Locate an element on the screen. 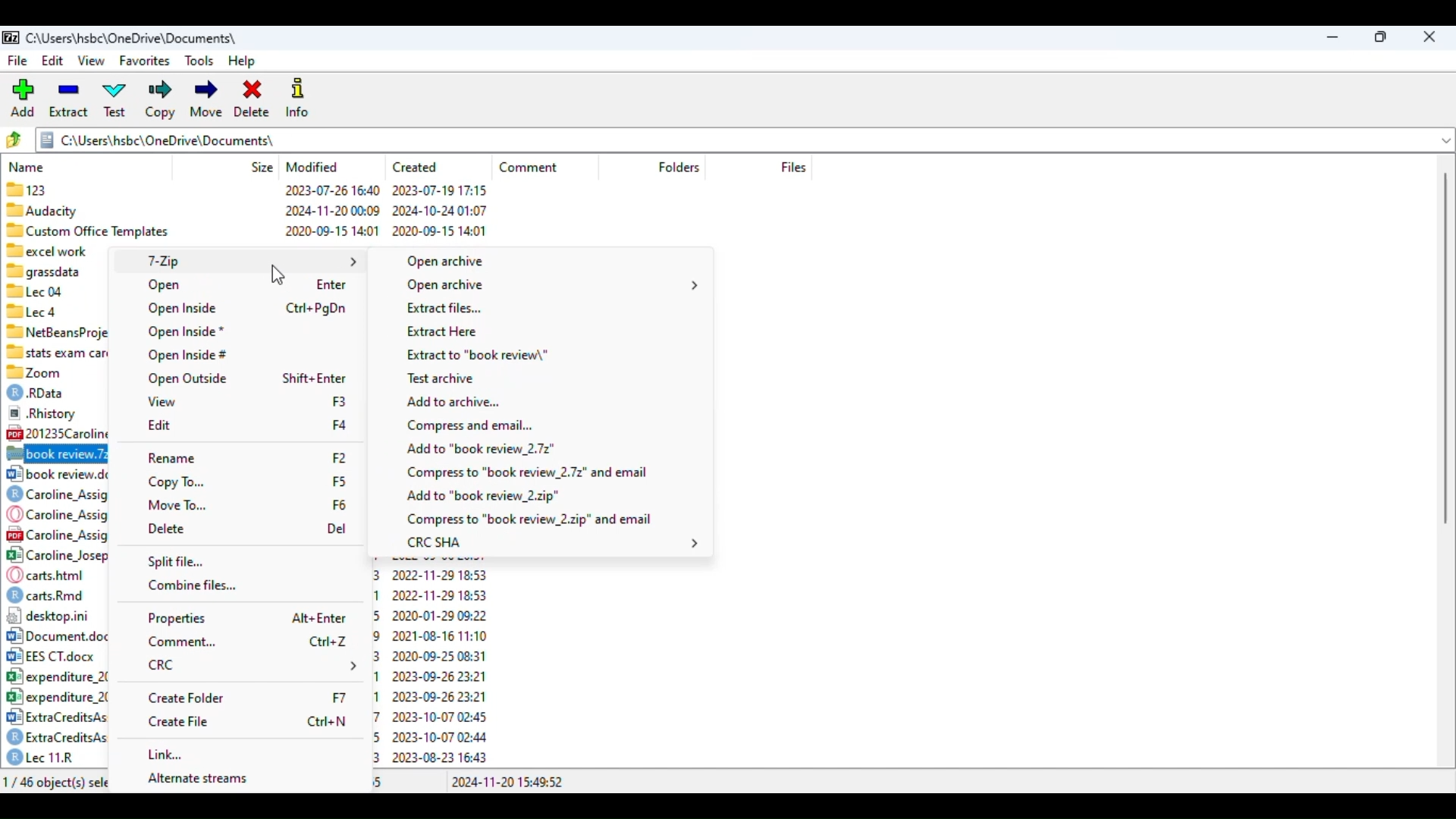 This screenshot has height=819, width=1456. maximize is located at coordinates (1382, 38).